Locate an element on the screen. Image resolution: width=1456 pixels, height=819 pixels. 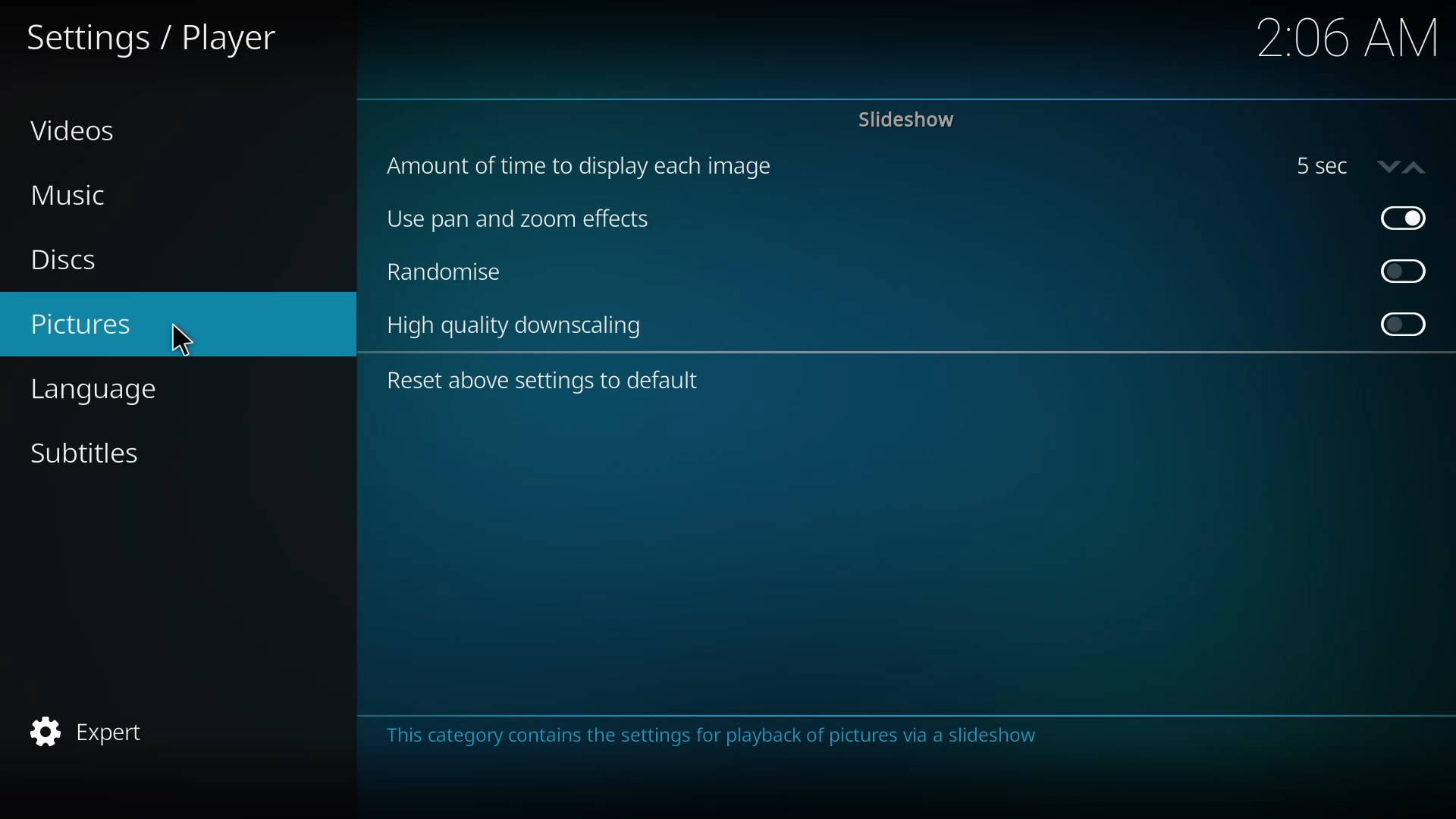
time is located at coordinates (1353, 39).